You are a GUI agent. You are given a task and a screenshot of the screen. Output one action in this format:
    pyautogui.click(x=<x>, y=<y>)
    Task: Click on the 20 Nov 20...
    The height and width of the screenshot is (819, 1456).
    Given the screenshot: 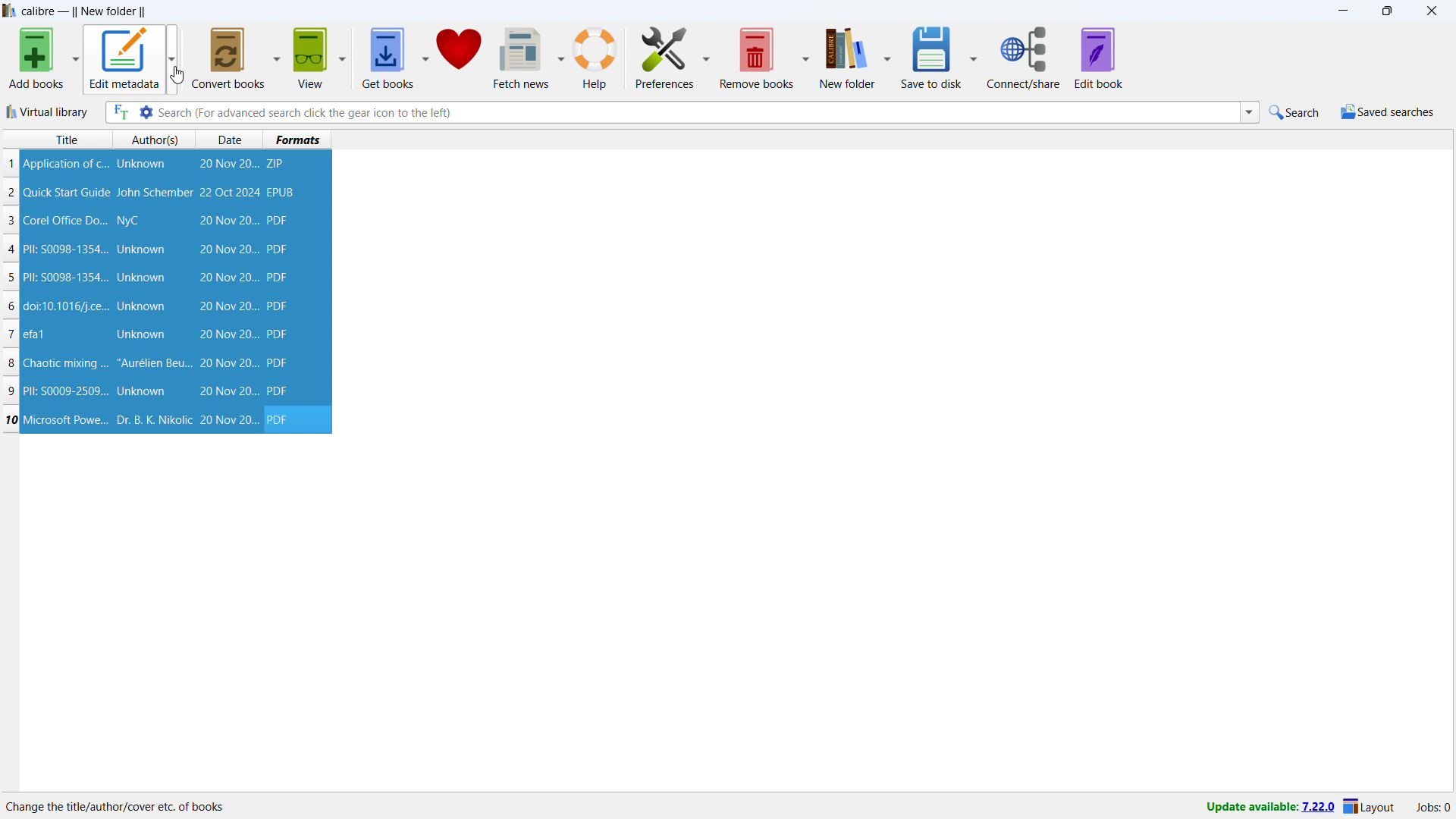 What is the action you would take?
    pyautogui.click(x=228, y=420)
    